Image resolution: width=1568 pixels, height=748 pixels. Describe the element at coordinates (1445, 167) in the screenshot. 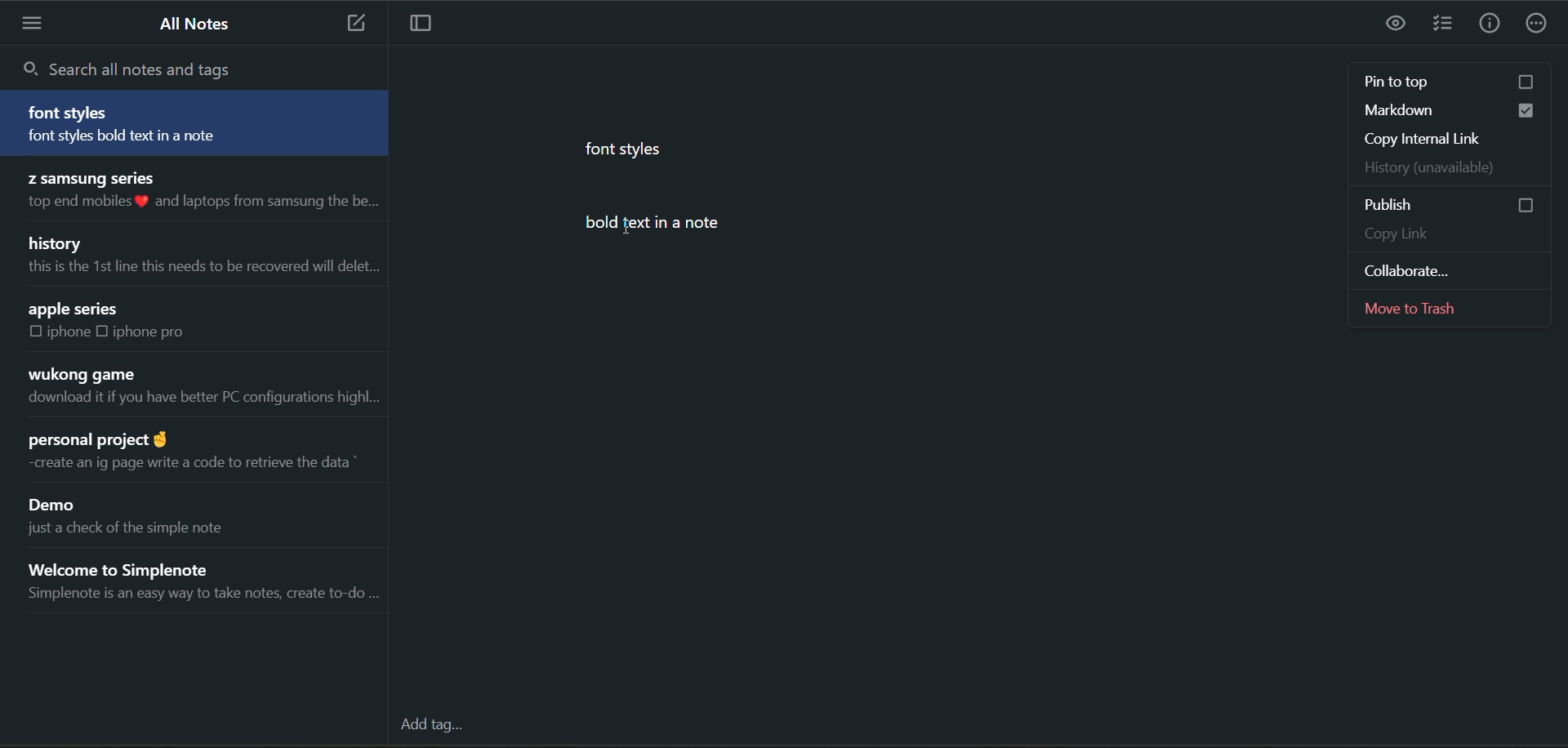

I see `history` at that location.